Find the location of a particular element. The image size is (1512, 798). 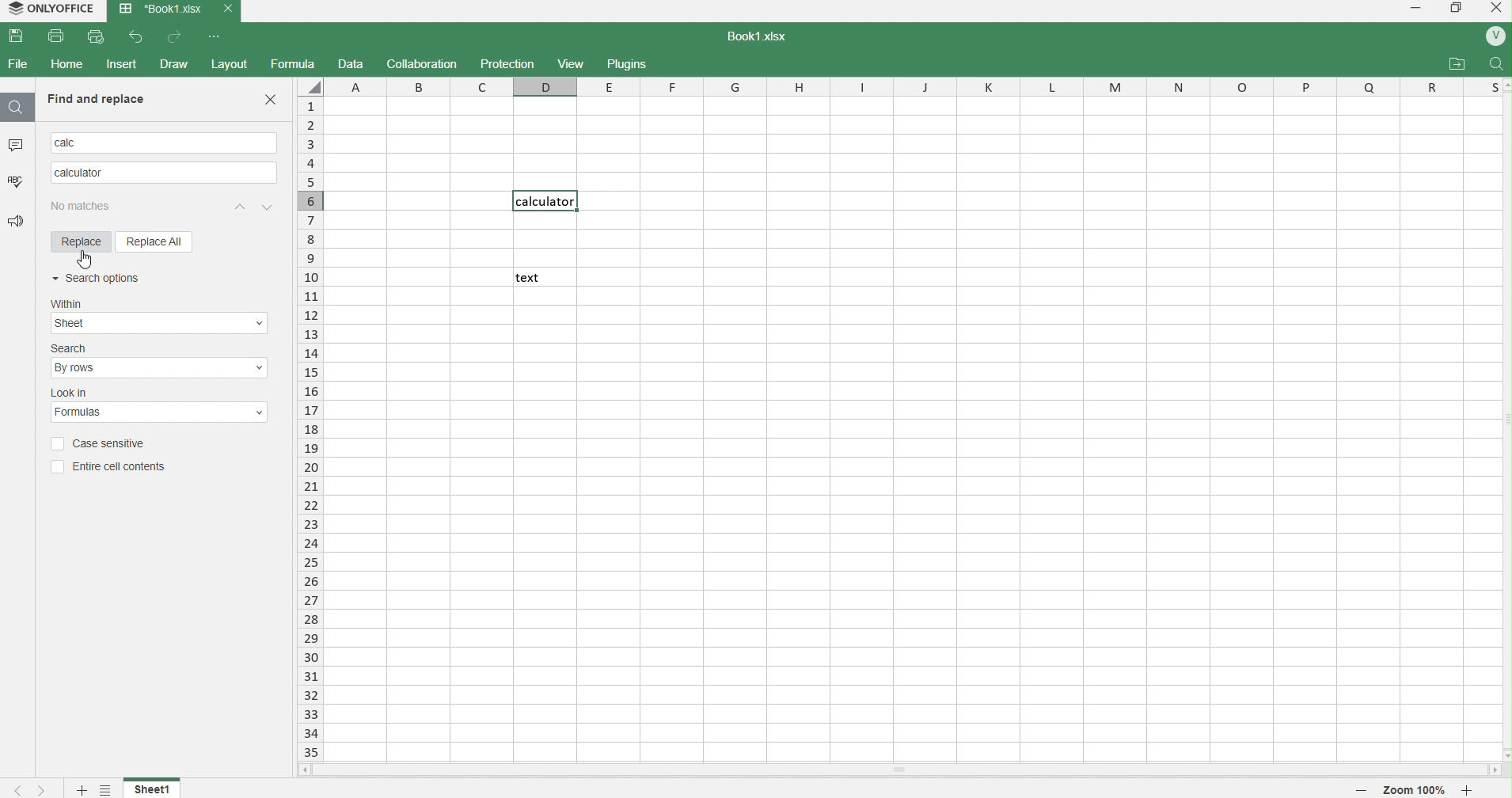

 zoom 100% is located at coordinates (1411, 789).